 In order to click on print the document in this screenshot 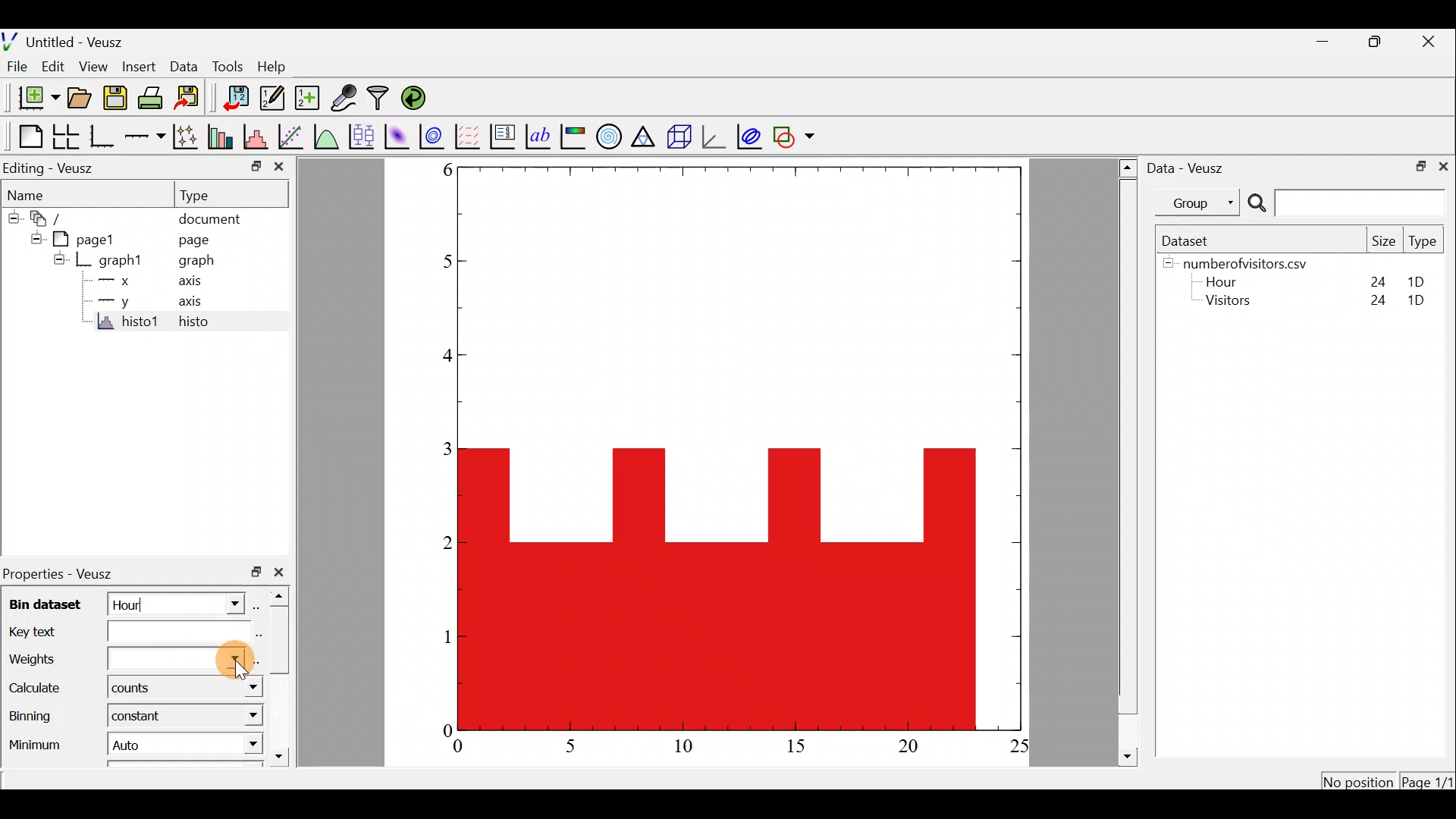, I will do `click(151, 97)`.